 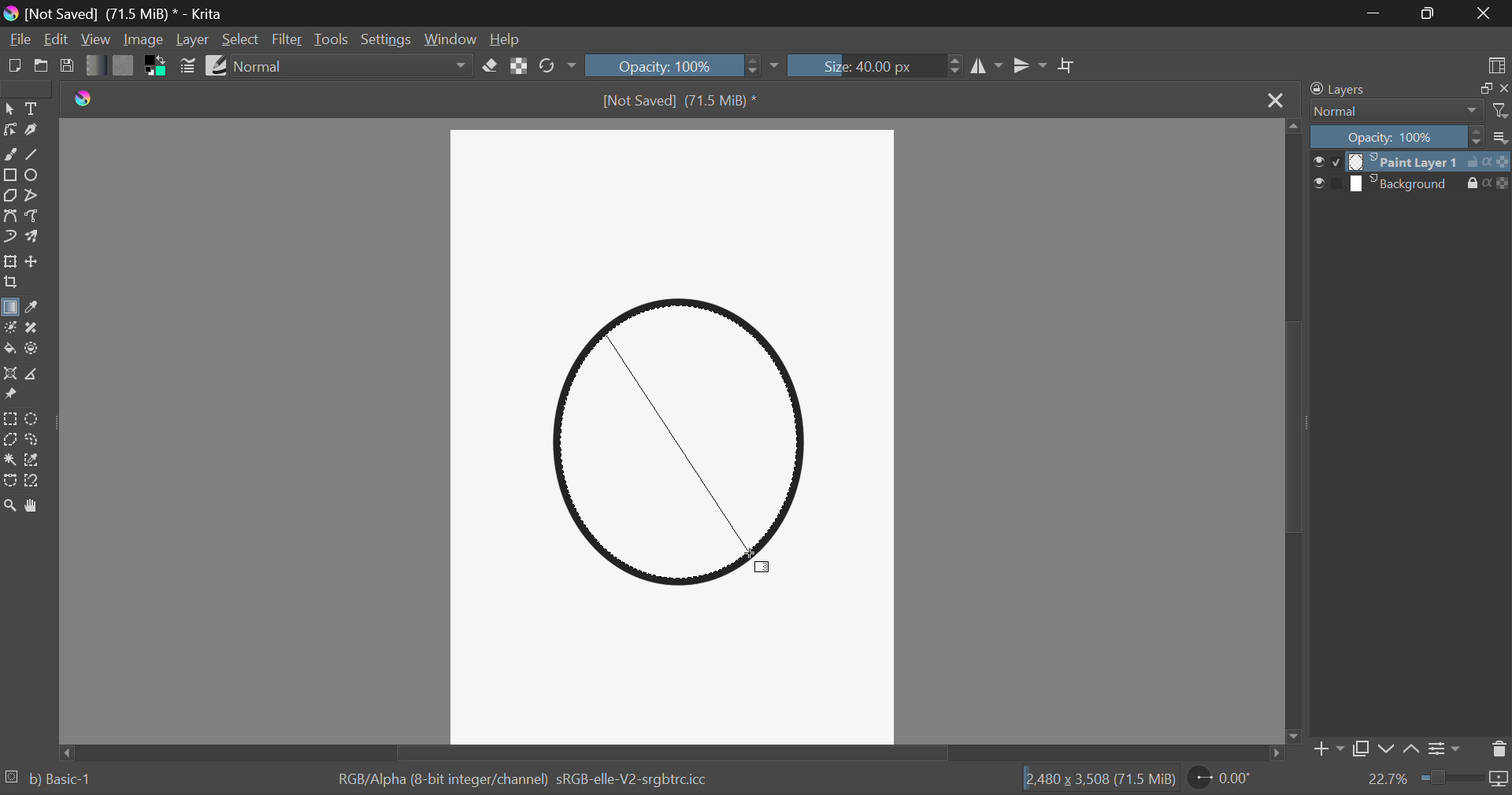 What do you see at coordinates (1352, 89) in the screenshot?
I see `Layers Docker` at bounding box center [1352, 89].